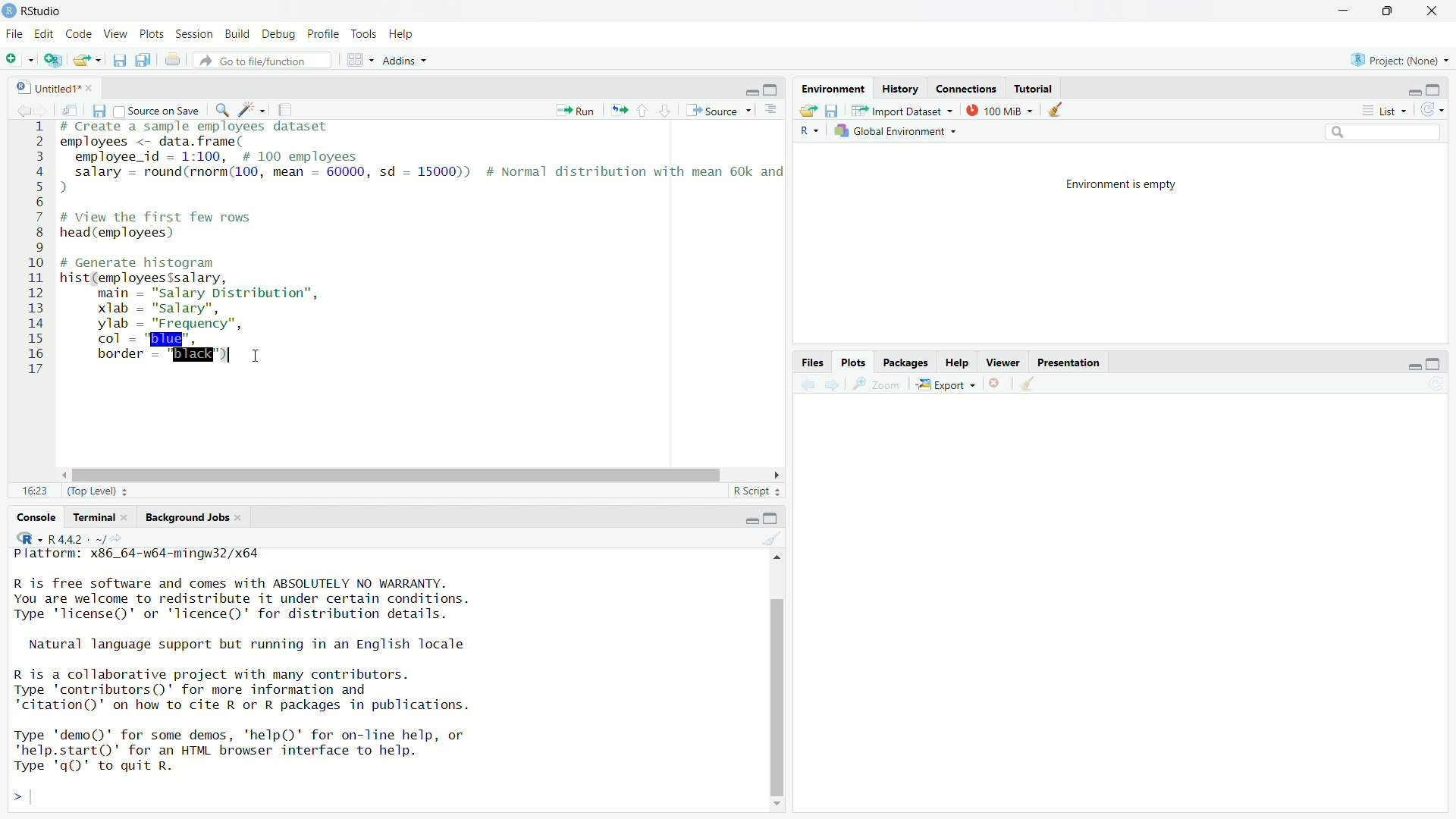 The height and width of the screenshot is (819, 1456). What do you see at coordinates (1433, 365) in the screenshot?
I see `Maximise ` at bounding box center [1433, 365].